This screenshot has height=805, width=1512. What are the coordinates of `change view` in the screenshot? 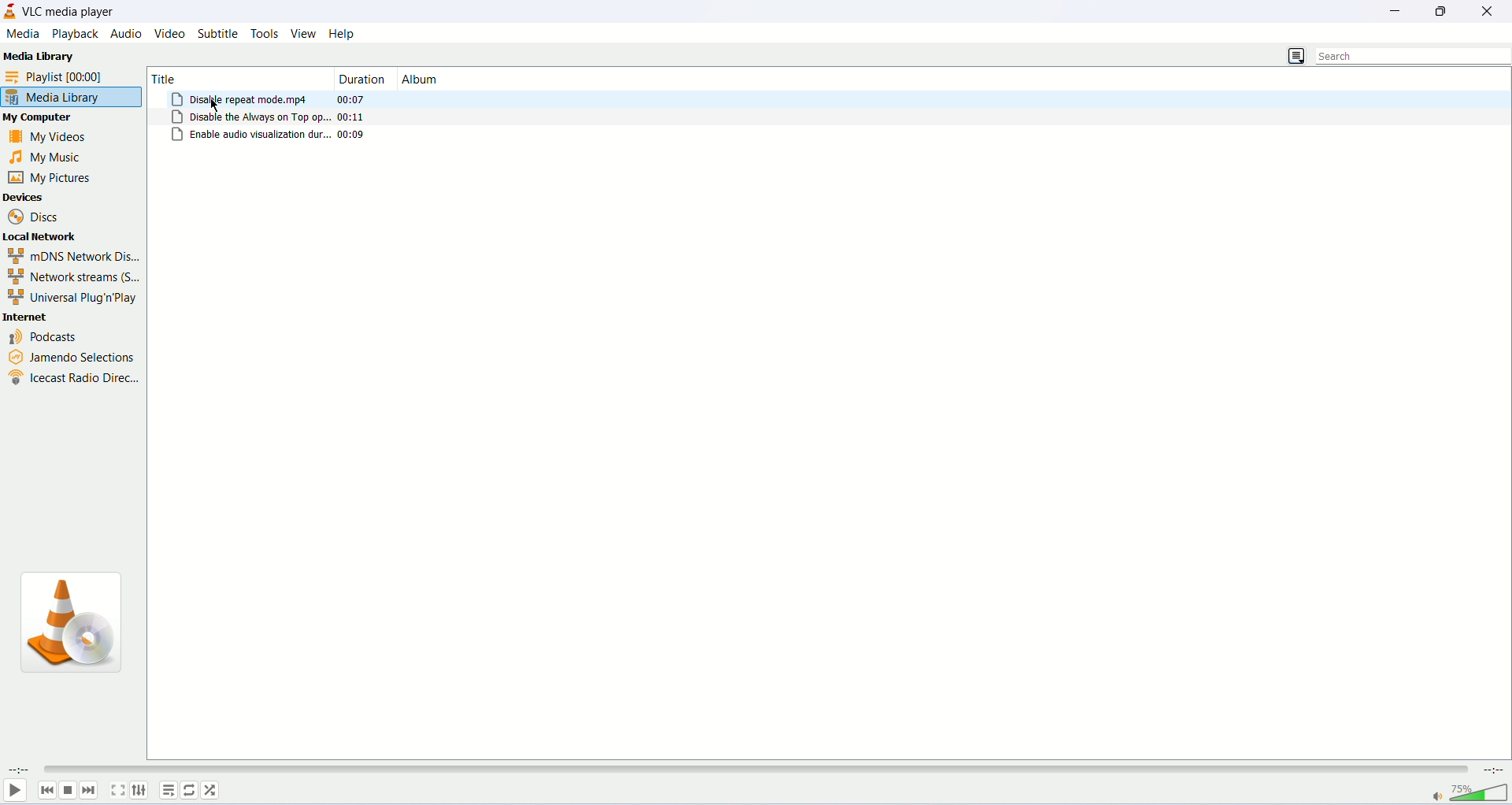 It's located at (1295, 57).